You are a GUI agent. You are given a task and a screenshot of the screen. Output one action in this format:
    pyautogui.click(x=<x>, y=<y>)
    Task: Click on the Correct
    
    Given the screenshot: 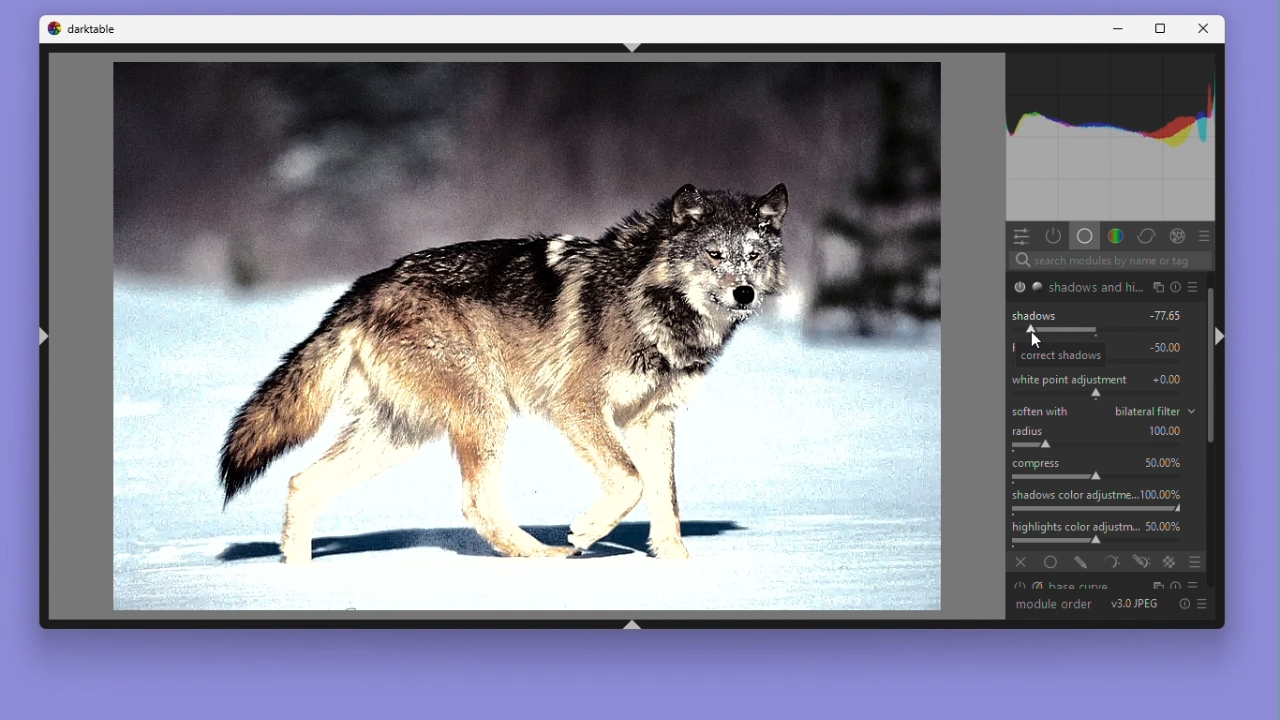 What is the action you would take?
    pyautogui.click(x=1145, y=236)
    